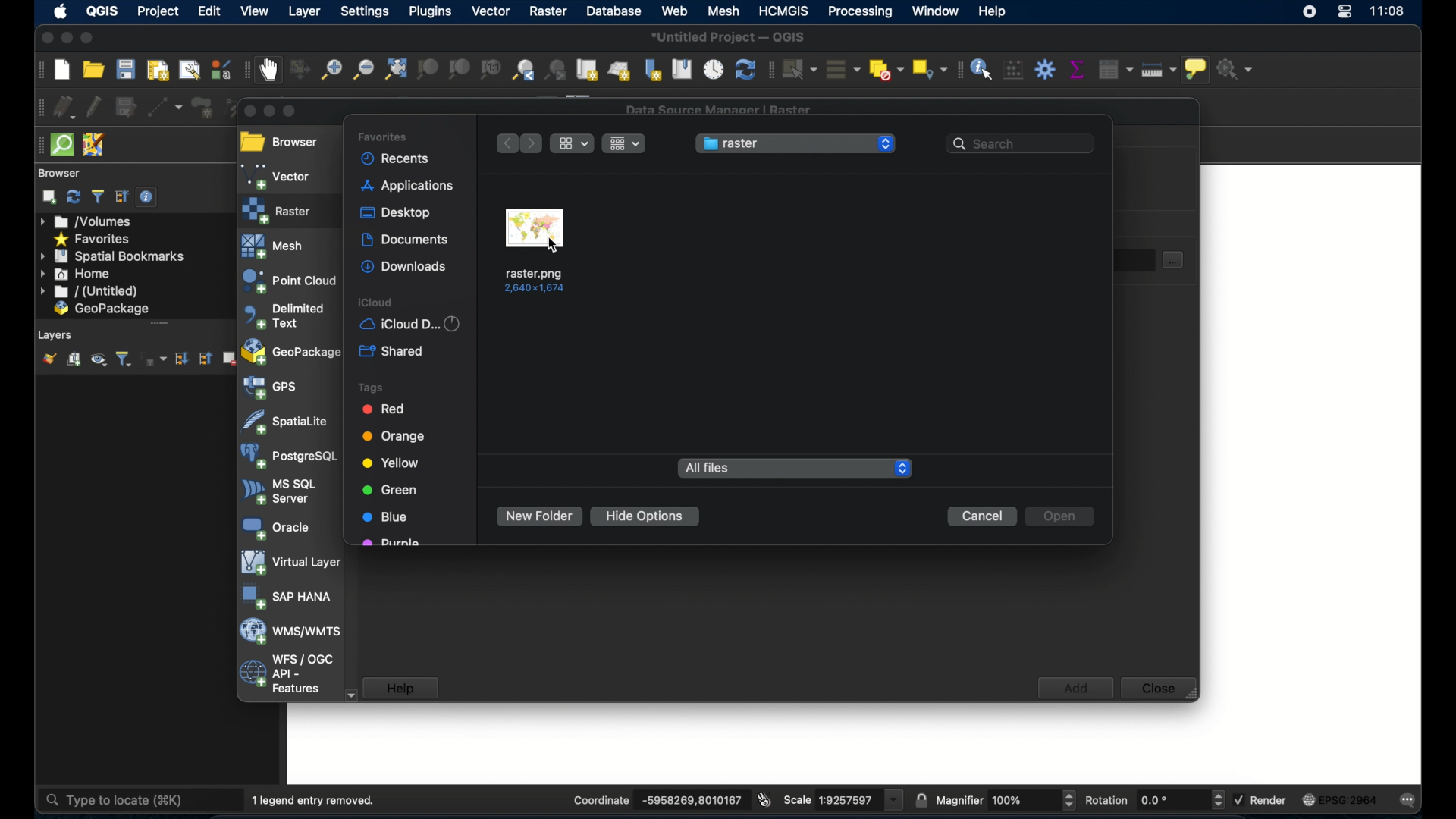  What do you see at coordinates (149, 197) in the screenshot?
I see `enable/disable properties widget` at bounding box center [149, 197].